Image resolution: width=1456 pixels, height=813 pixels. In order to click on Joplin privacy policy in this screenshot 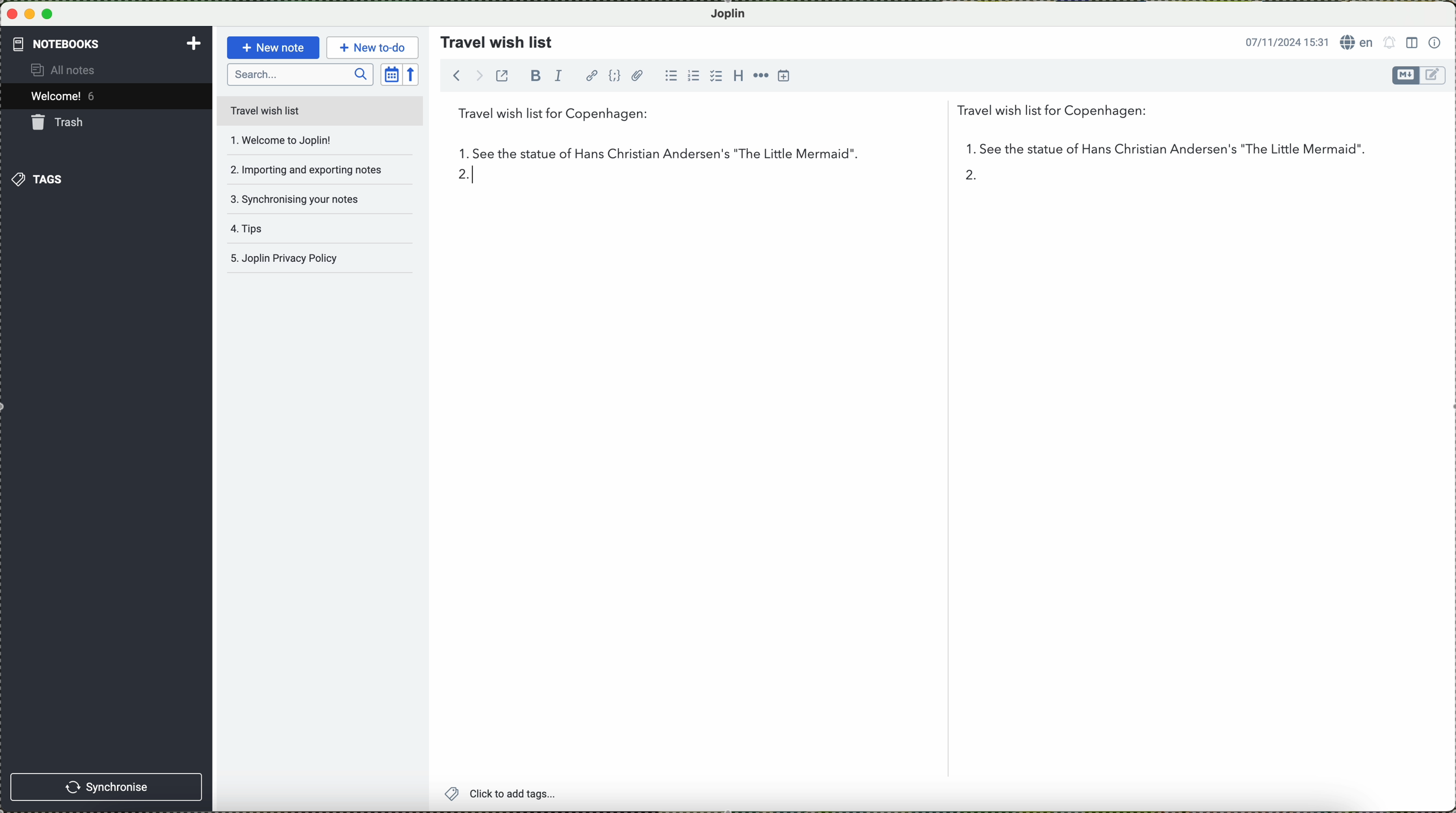, I will do `click(317, 261)`.